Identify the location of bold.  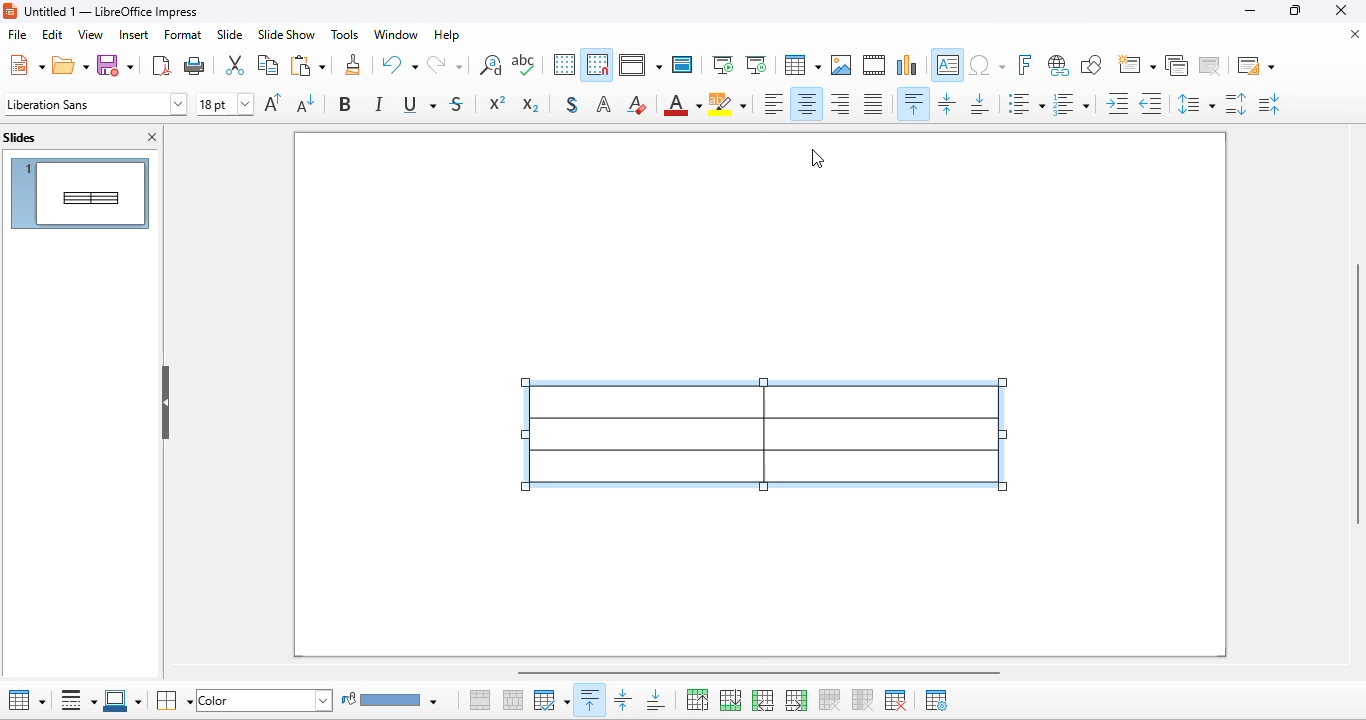
(346, 103).